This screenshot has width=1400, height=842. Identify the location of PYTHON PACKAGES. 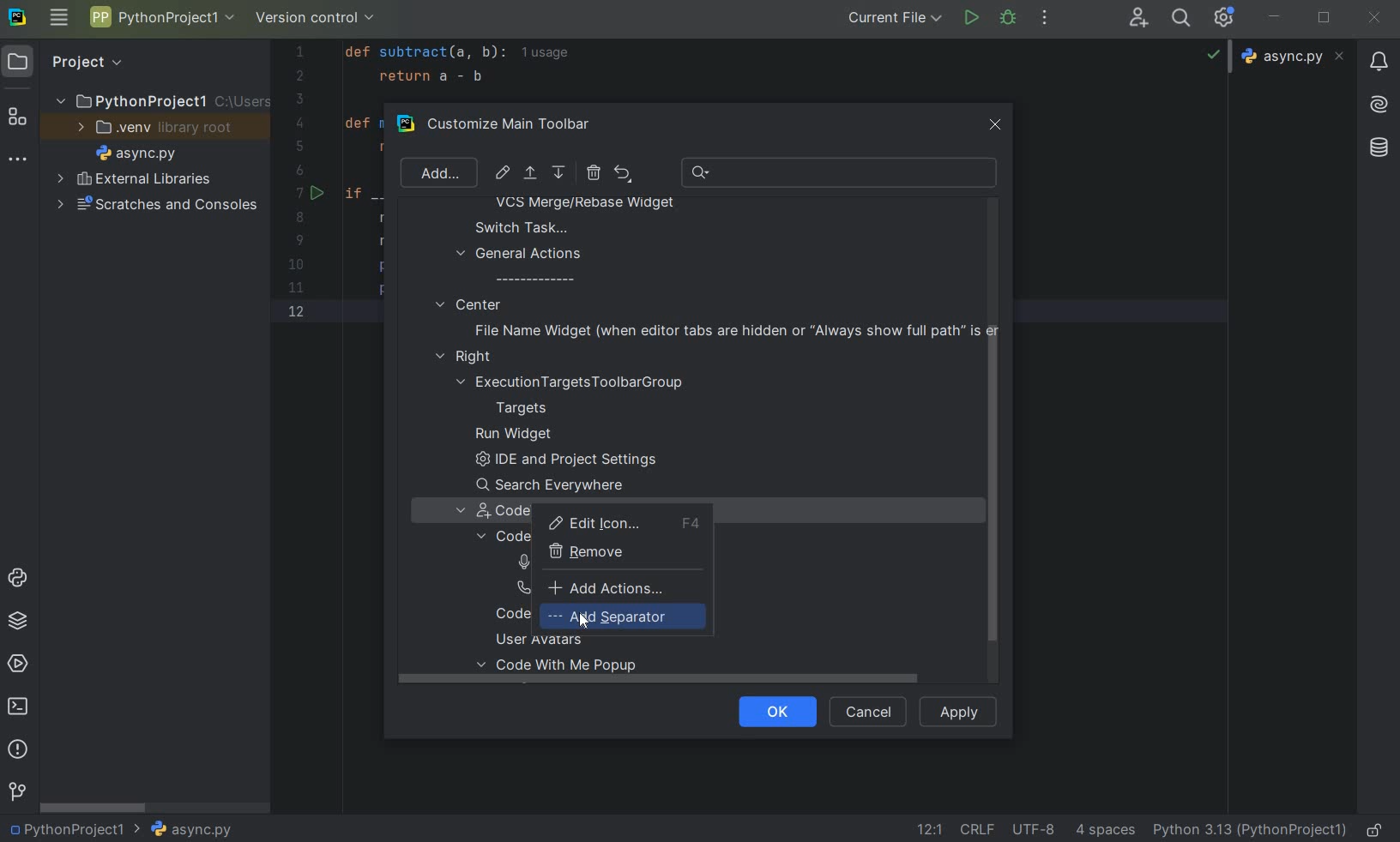
(17, 623).